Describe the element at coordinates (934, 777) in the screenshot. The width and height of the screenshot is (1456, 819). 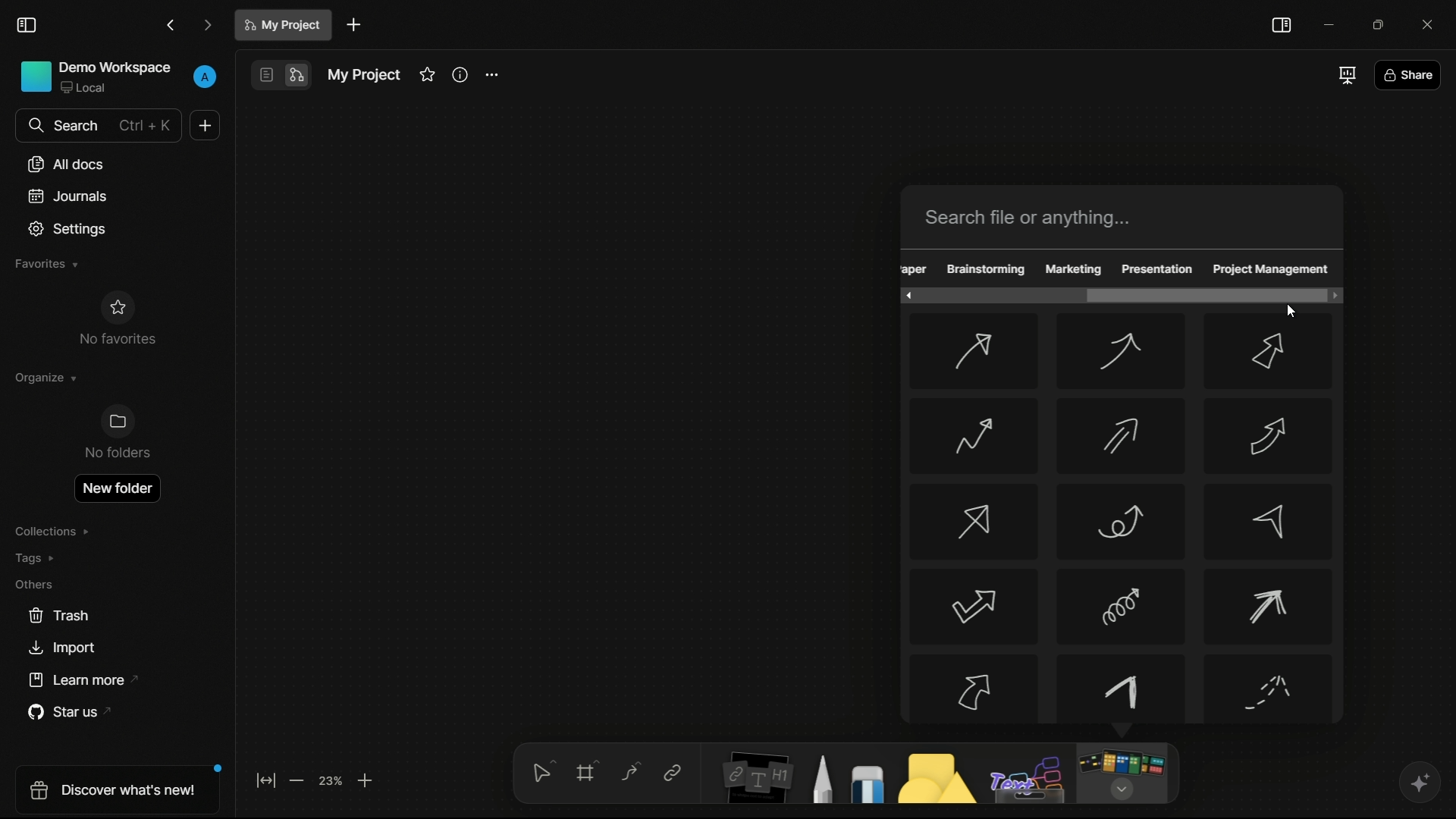
I see `shapes` at that location.